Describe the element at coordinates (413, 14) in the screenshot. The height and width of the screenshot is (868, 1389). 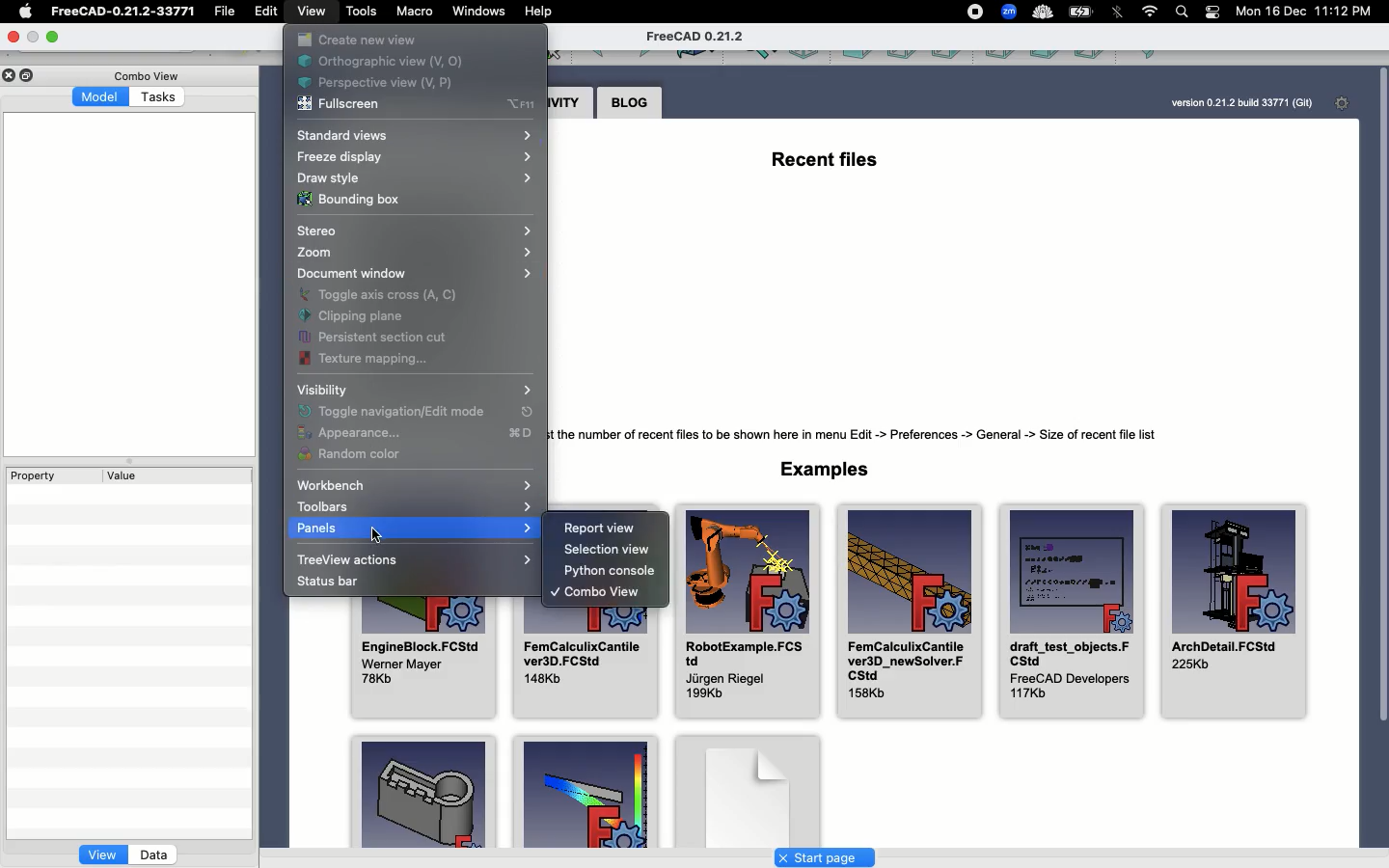
I see `Macro` at that location.